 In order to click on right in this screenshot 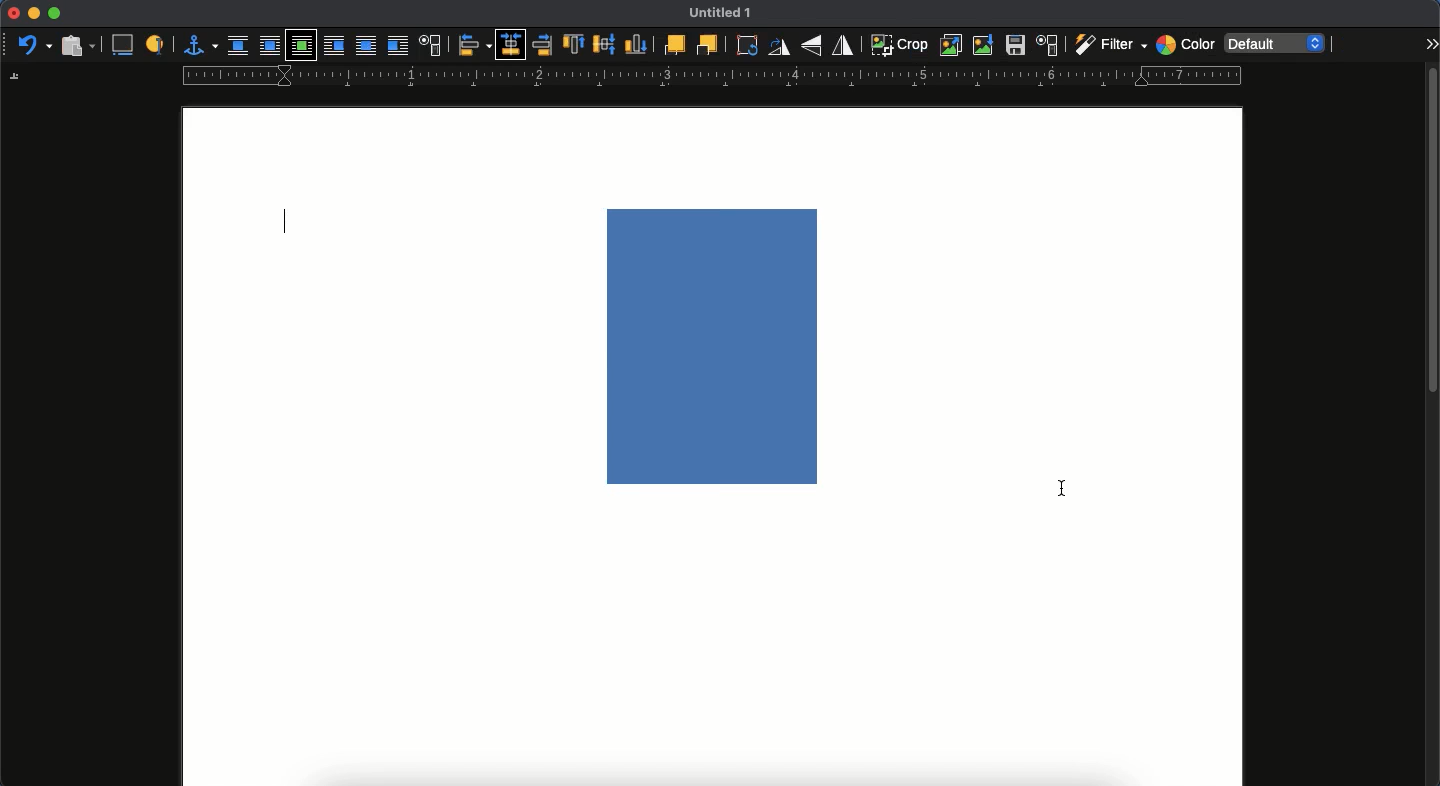, I will do `click(543, 45)`.